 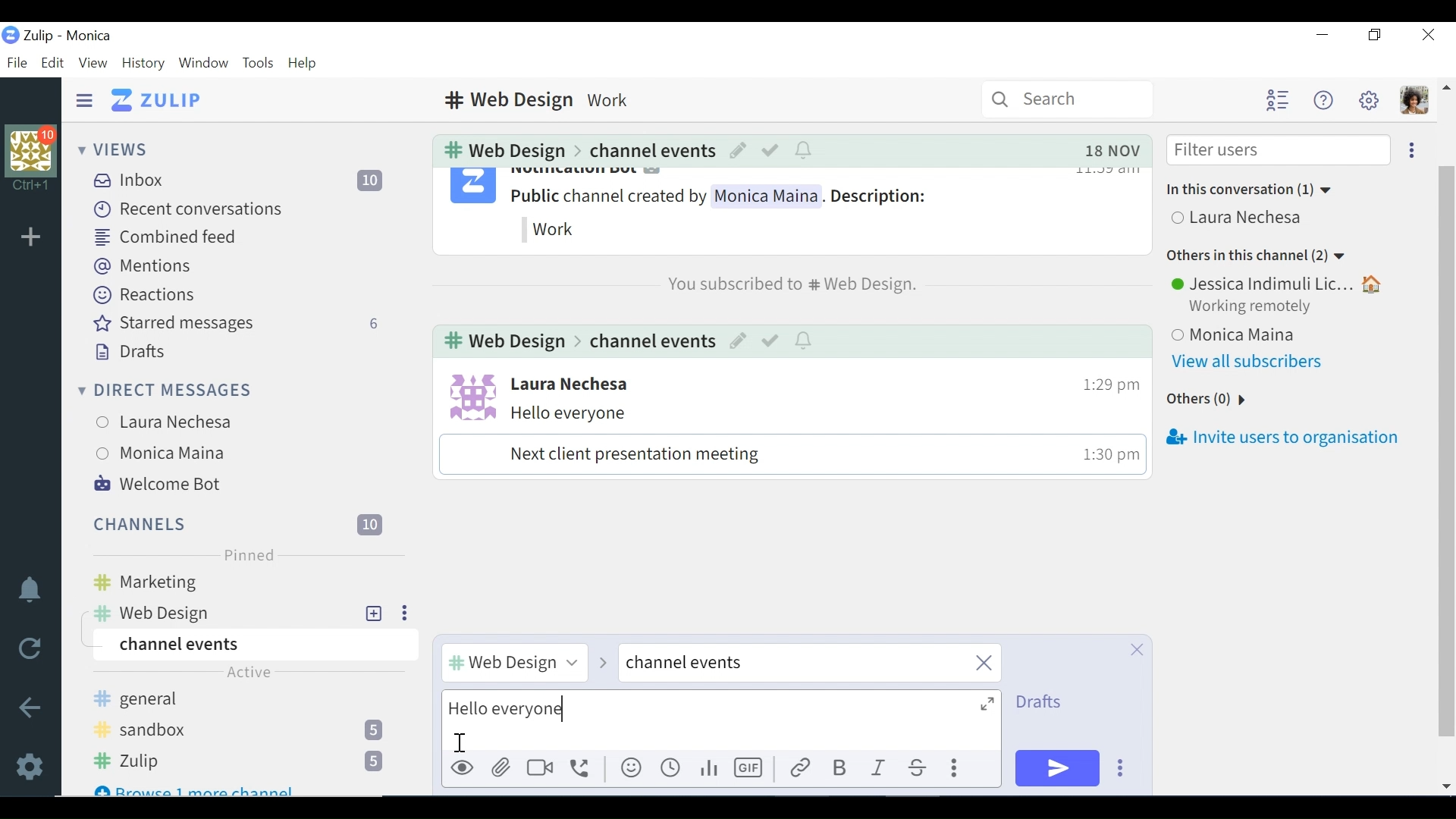 What do you see at coordinates (1135, 649) in the screenshot?
I see `Close` at bounding box center [1135, 649].